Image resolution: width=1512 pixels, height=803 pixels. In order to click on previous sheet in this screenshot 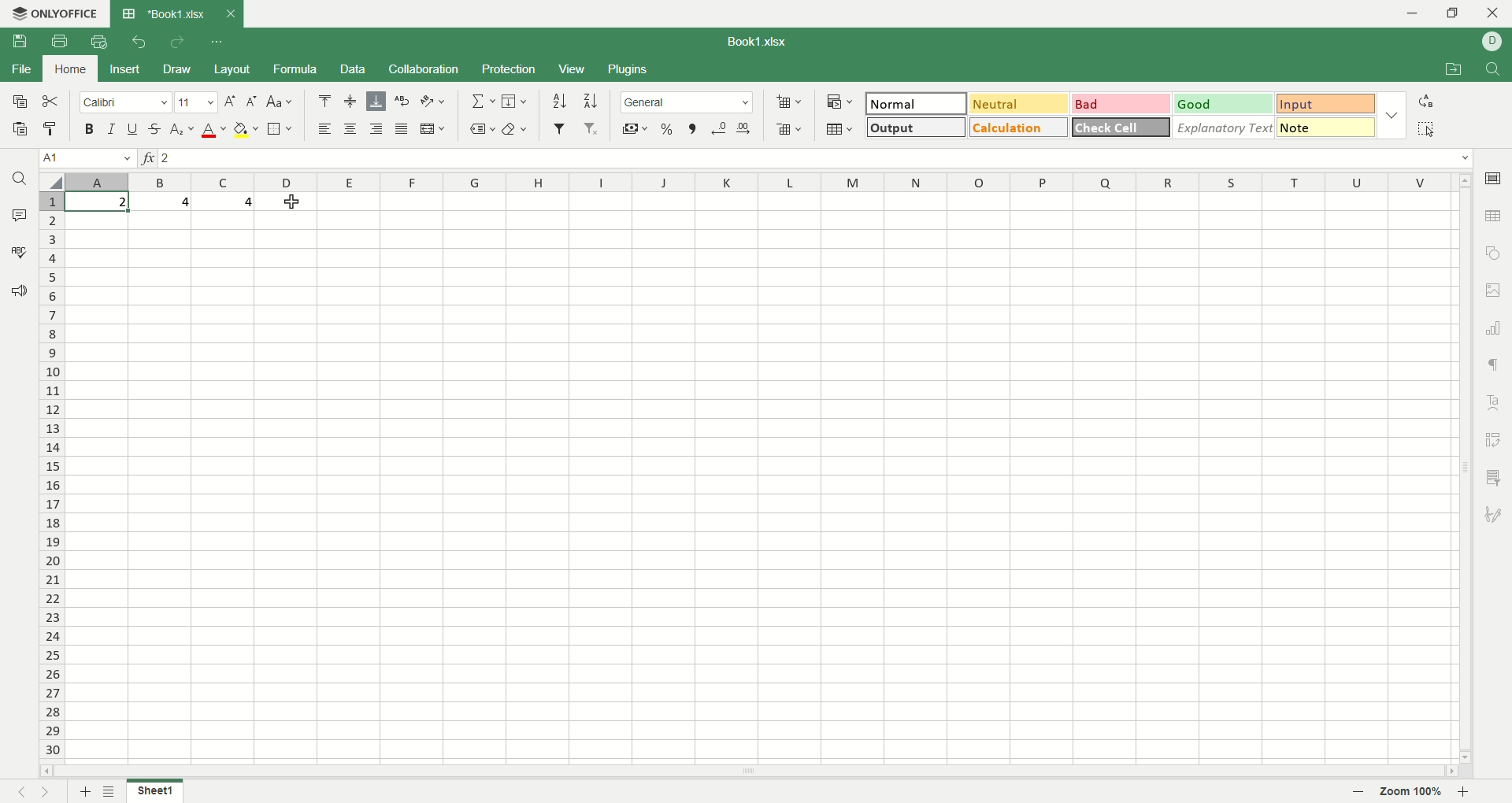, I will do `click(17, 794)`.